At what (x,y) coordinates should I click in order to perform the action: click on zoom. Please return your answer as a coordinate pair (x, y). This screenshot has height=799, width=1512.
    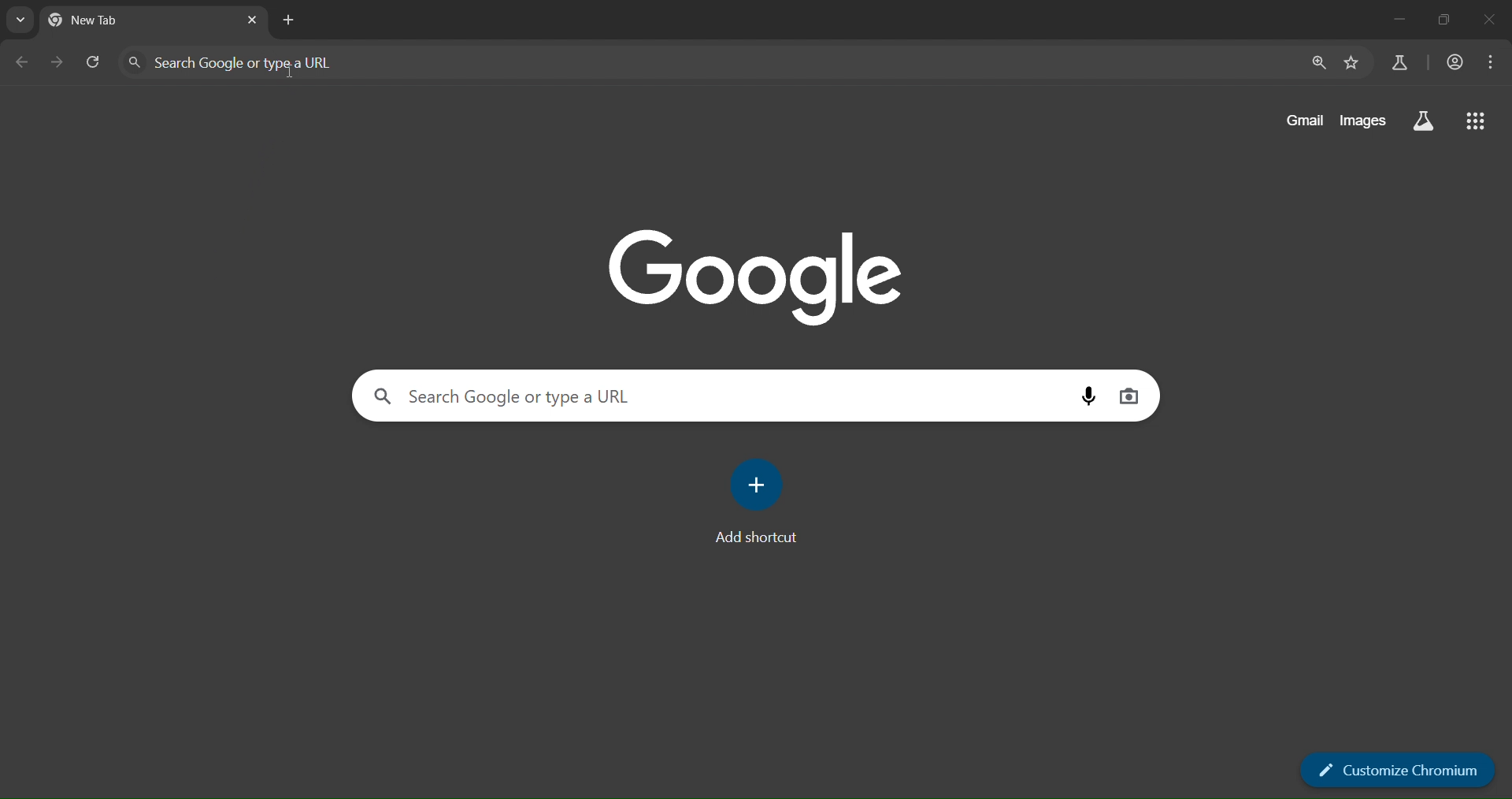
    Looking at the image, I should click on (1316, 61).